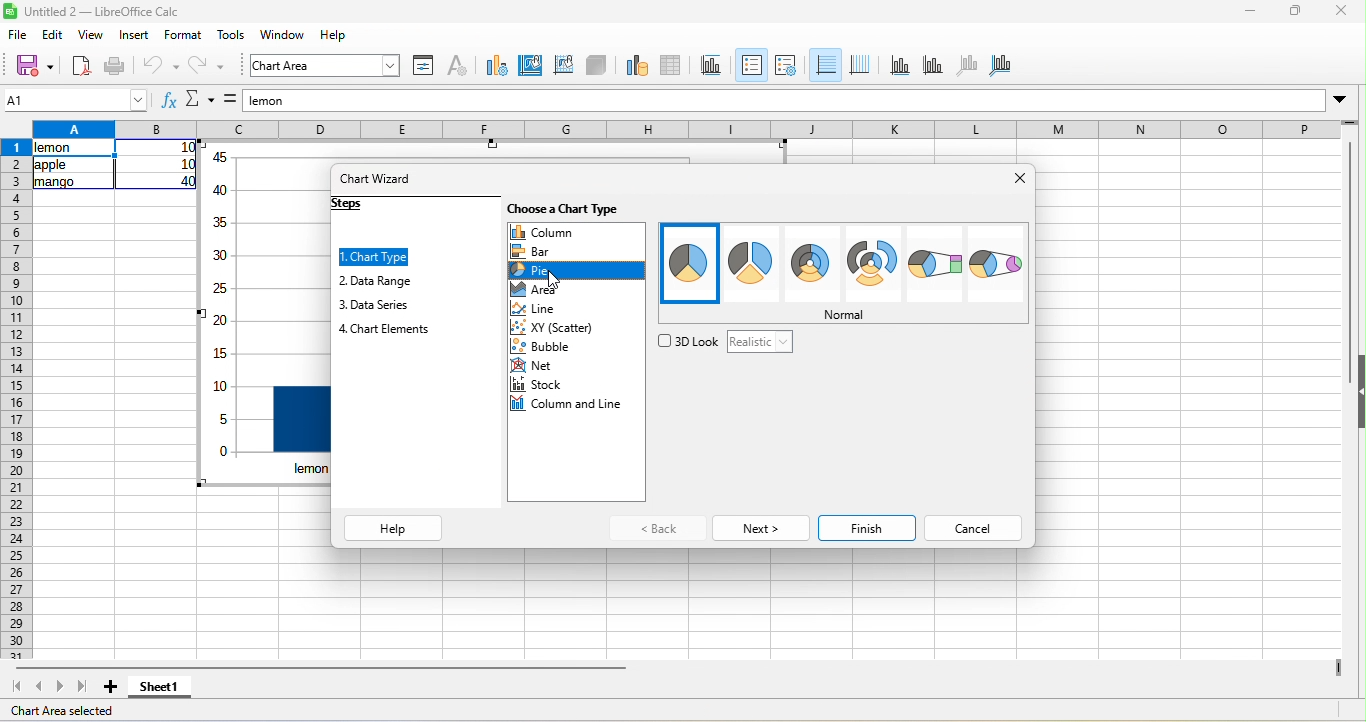 The image size is (1366, 722). Describe the element at coordinates (11, 12) in the screenshot. I see `logo` at that location.